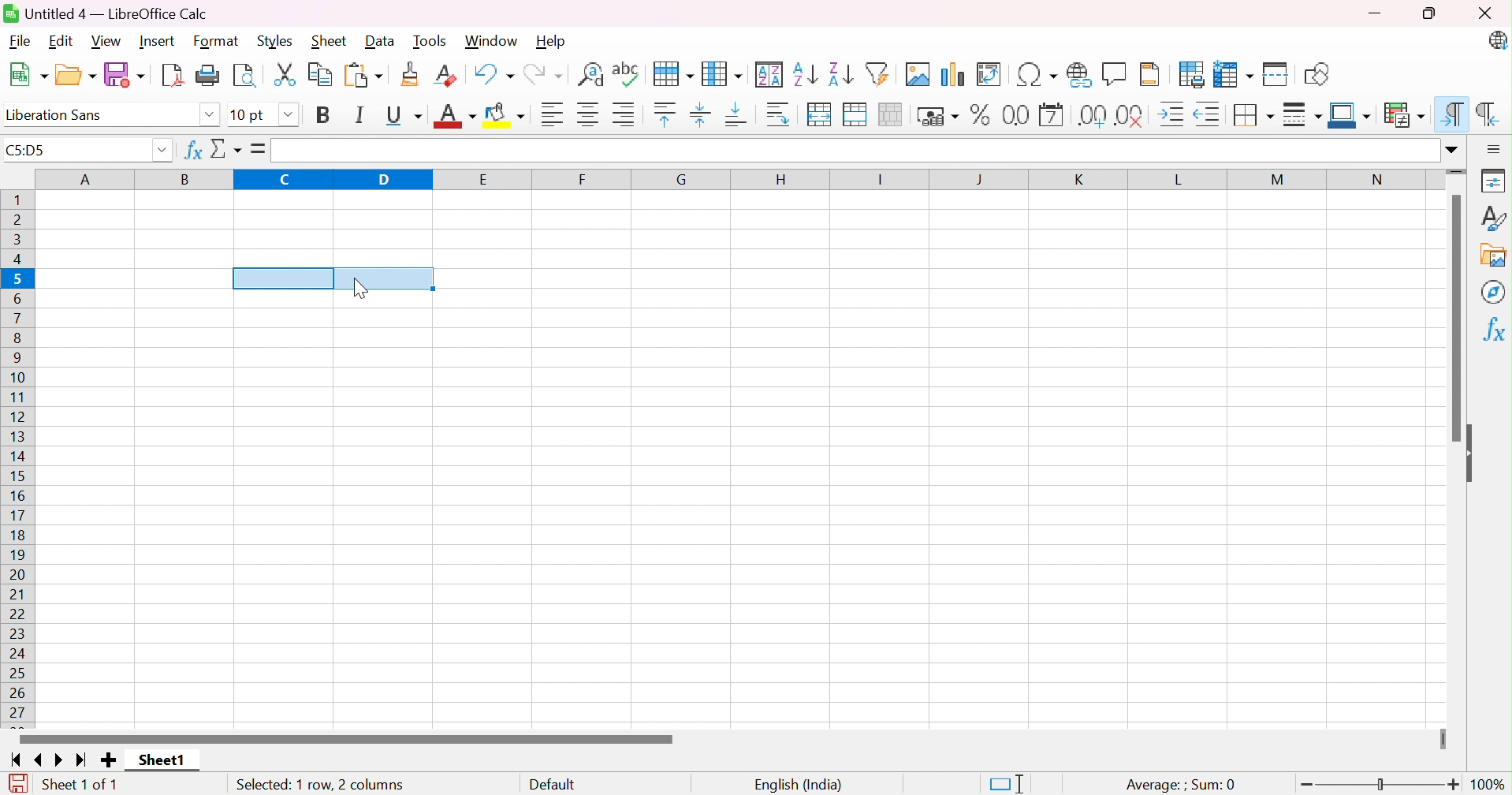  What do you see at coordinates (40, 762) in the screenshot?
I see `Scroll to previous sheet` at bounding box center [40, 762].